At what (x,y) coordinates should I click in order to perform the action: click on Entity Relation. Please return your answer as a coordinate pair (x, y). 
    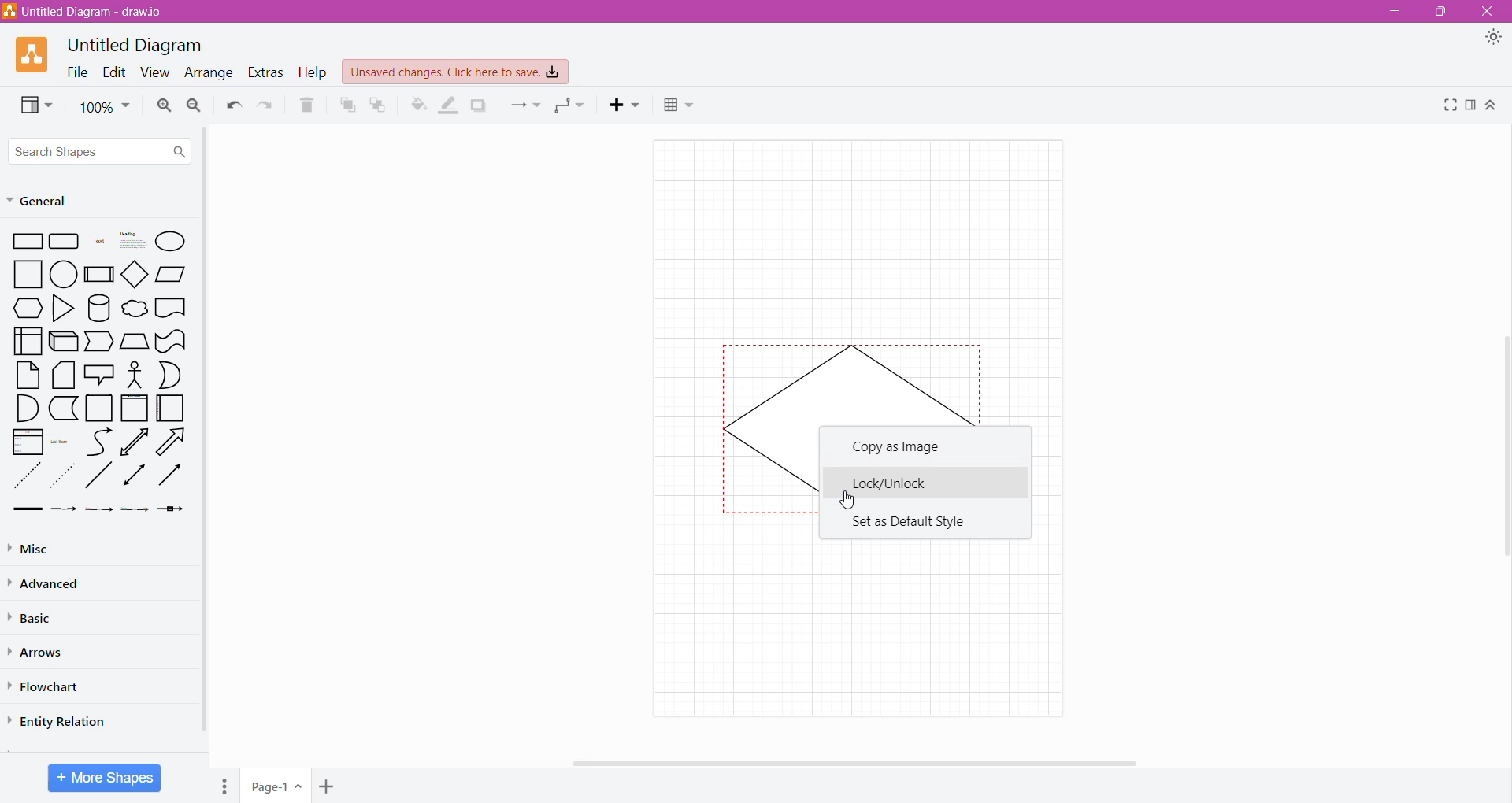
    Looking at the image, I should click on (61, 720).